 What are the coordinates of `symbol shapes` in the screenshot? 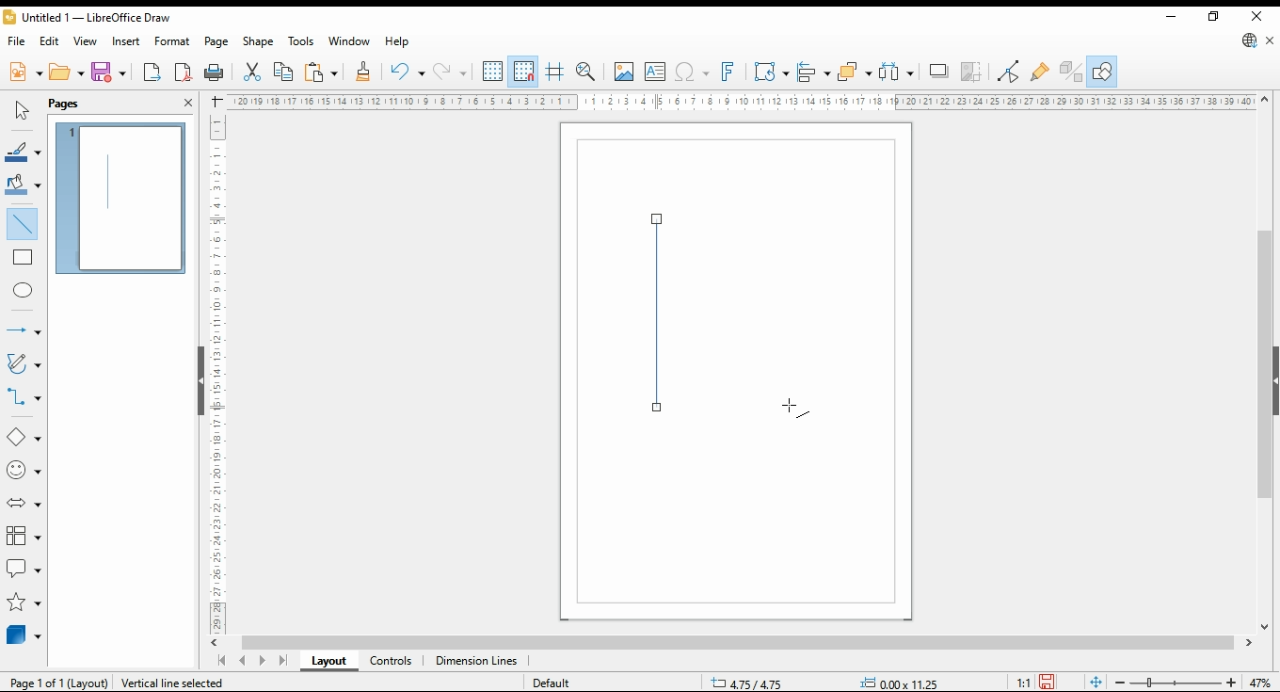 It's located at (23, 471).